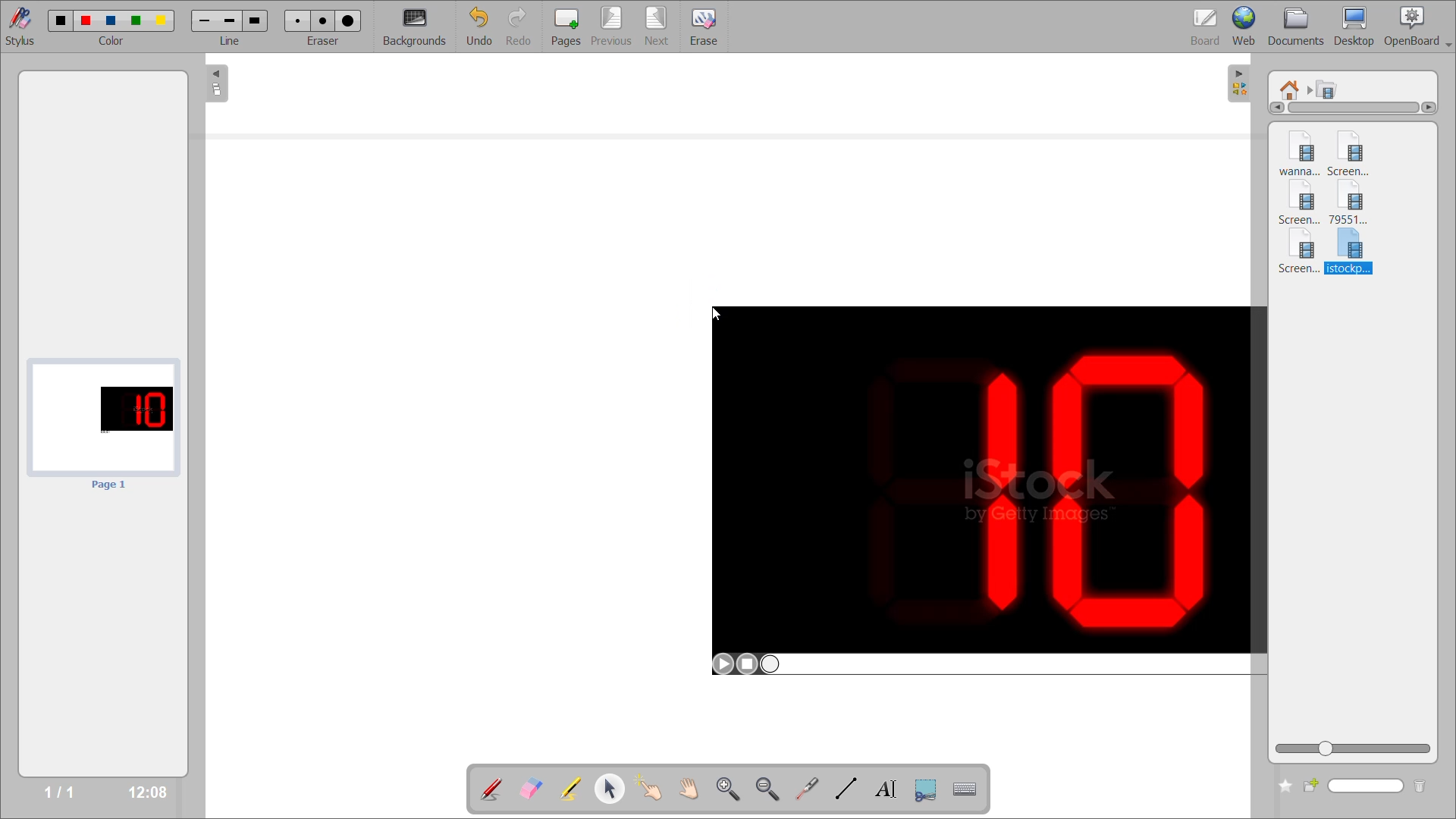 The image size is (1456, 819). I want to click on board, so click(1200, 24).